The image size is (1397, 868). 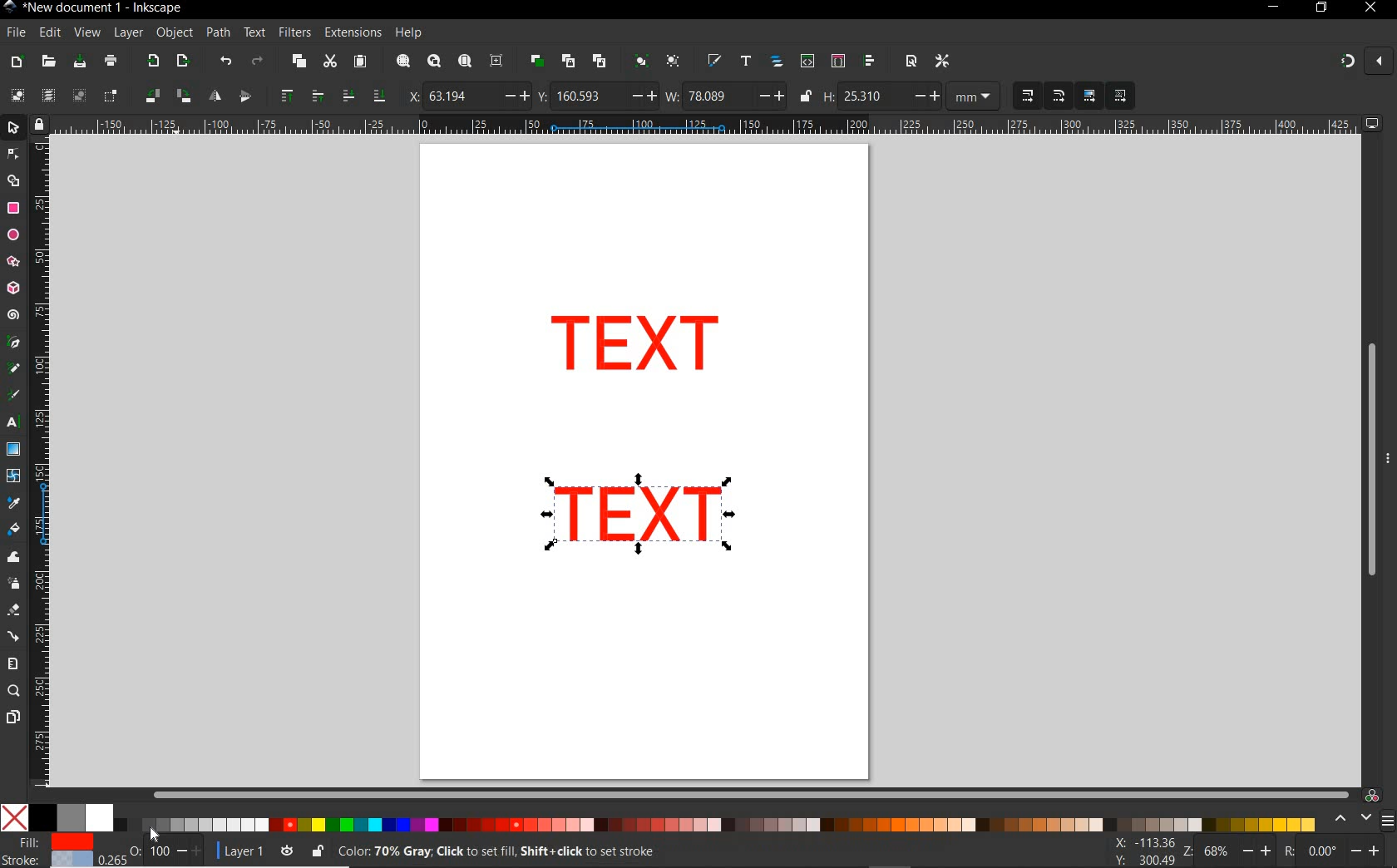 What do you see at coordinates (50, 61) in the screenshot?
I see `open file dialog` at bounding box center [50, 61].